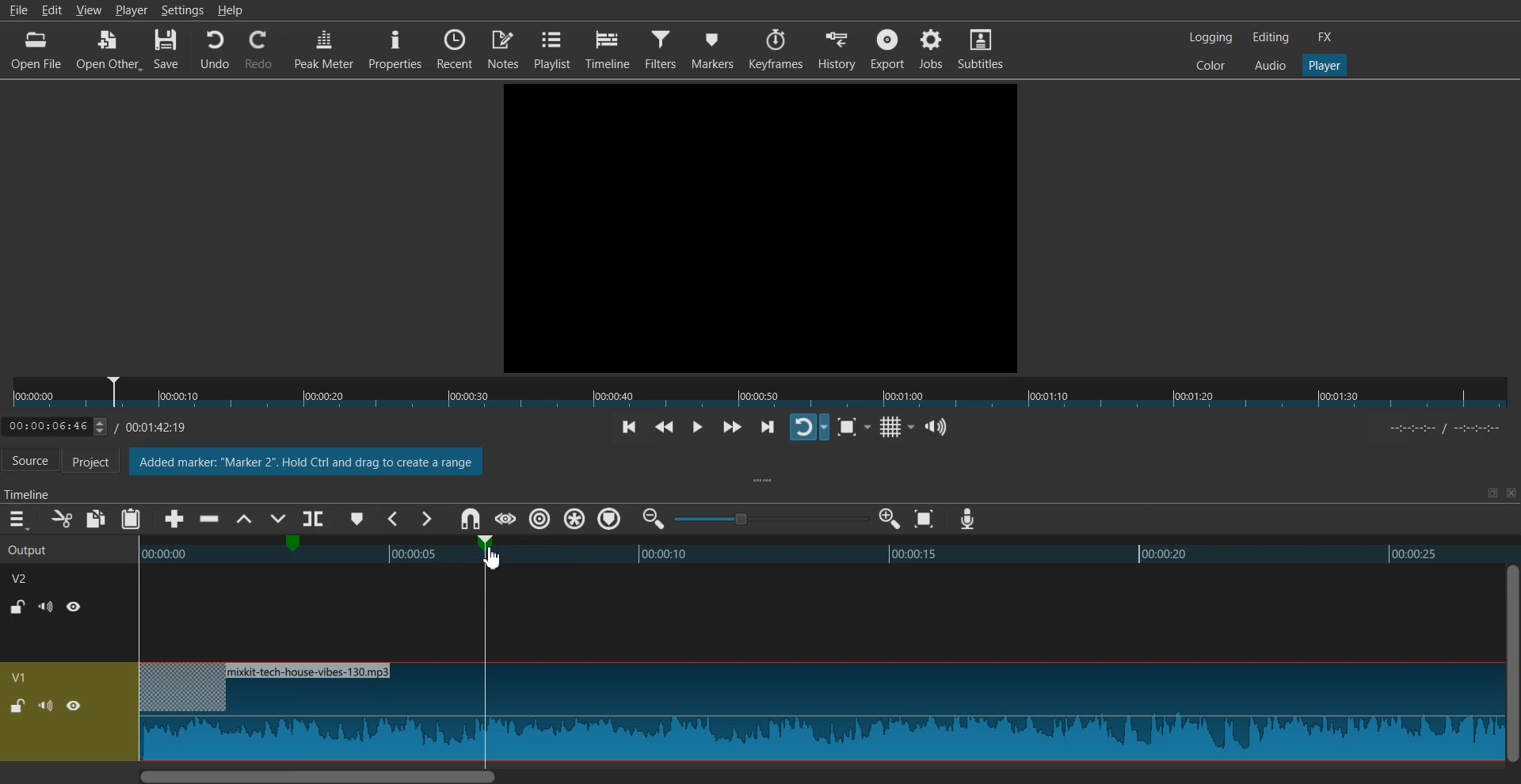 The height and width of the screenshot is (784, 1521). I want to click on Notes, so click(503, 48).